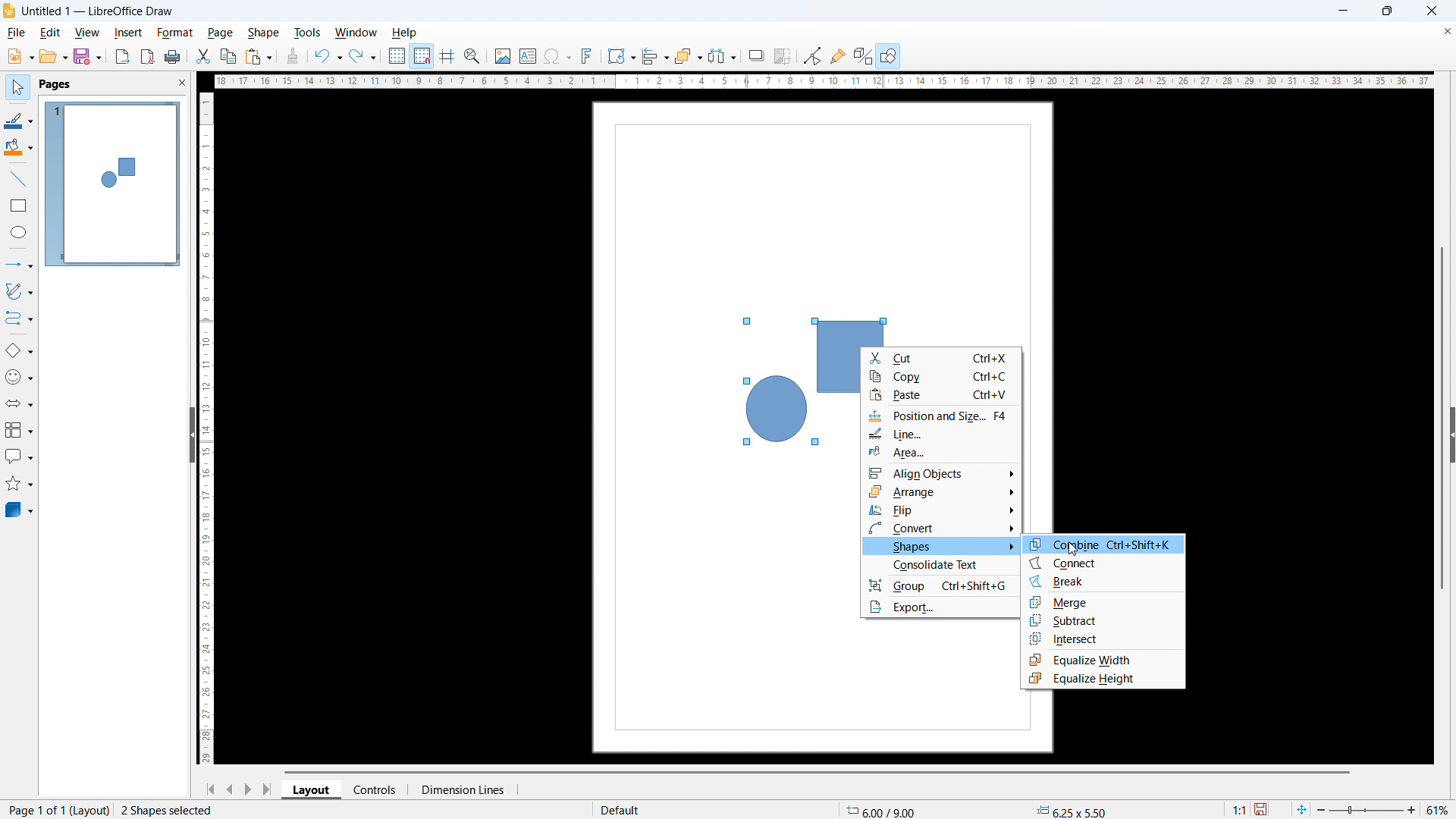 This screenshot has width=1456, height=819. Describe the element at coordinates (52, 33) in the screenshot. I see `edit` at that location.